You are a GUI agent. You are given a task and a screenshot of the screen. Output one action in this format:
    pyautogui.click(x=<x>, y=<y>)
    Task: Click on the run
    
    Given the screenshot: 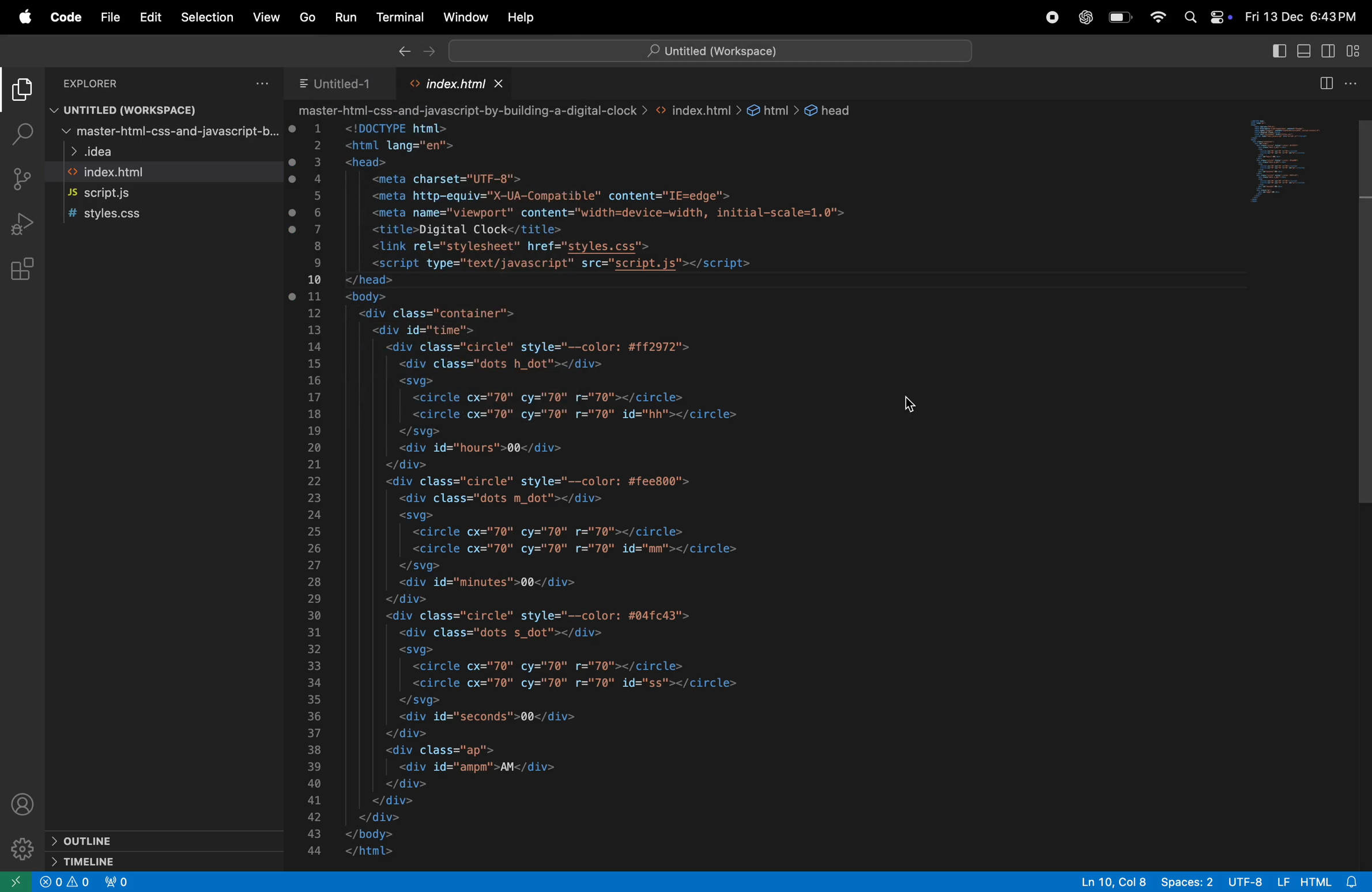 What is the action you would take?
    pyautogui.click(x=346, y=17)
    